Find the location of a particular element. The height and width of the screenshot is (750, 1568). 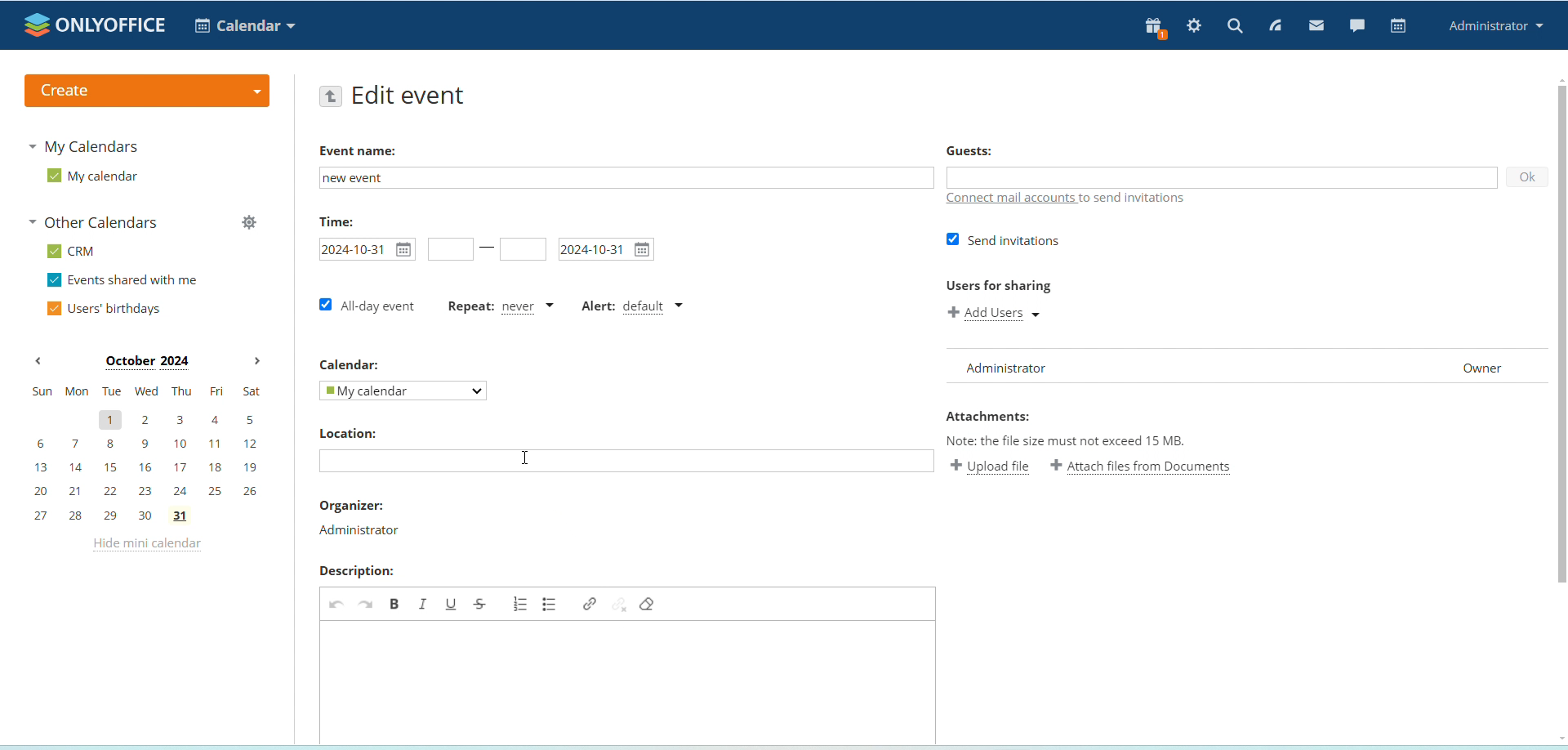

text is located at coordinates (1136, 198).